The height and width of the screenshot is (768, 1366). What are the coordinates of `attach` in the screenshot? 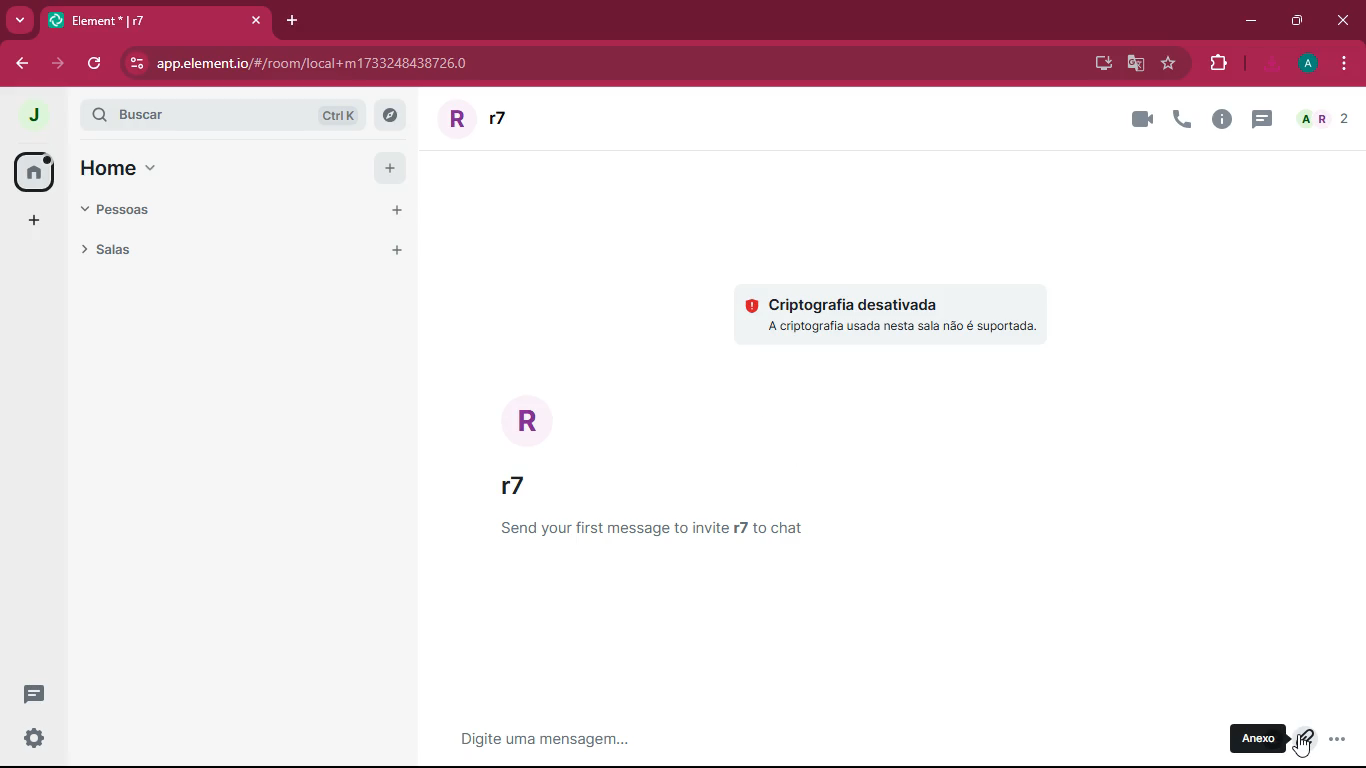 It's located at (1302, 743).